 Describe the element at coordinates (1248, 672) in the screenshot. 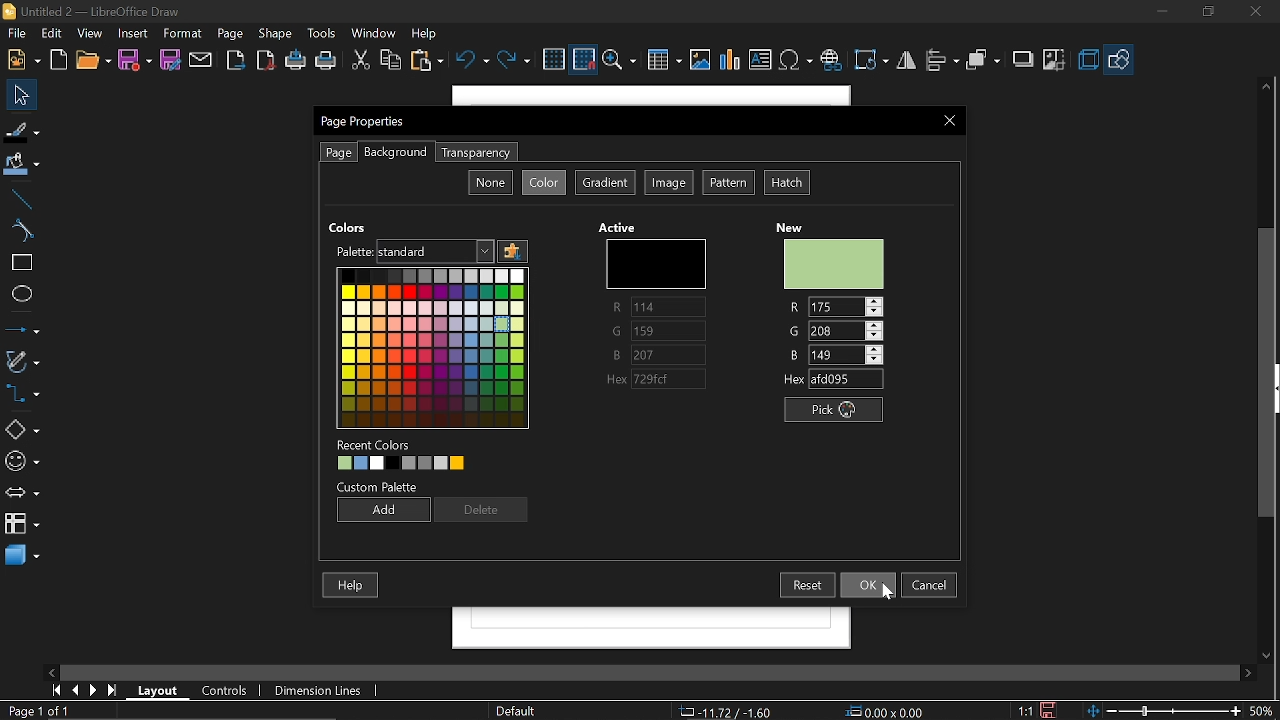

I see `Move right` at that location.